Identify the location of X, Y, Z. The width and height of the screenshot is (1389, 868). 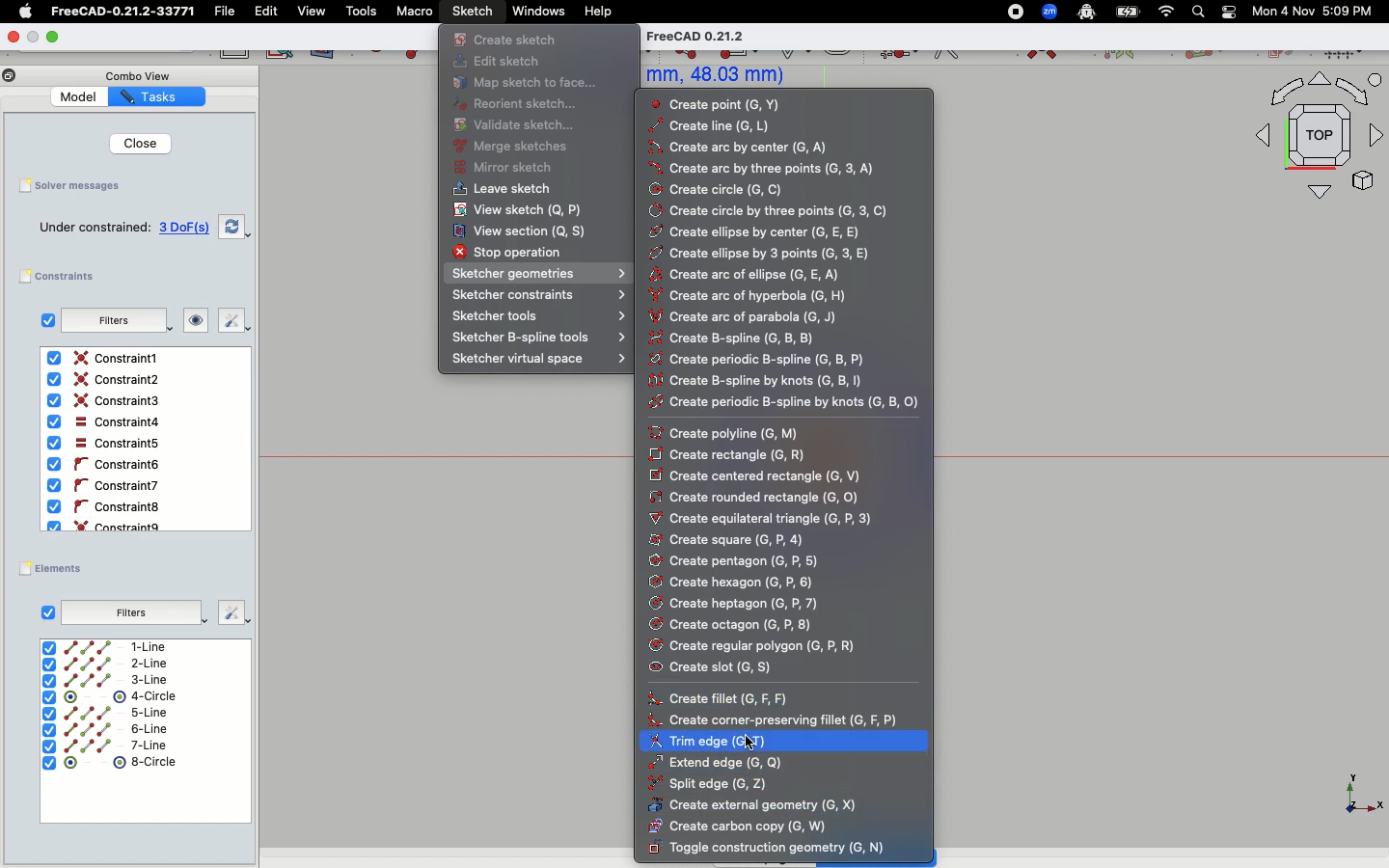
(1351, 800).